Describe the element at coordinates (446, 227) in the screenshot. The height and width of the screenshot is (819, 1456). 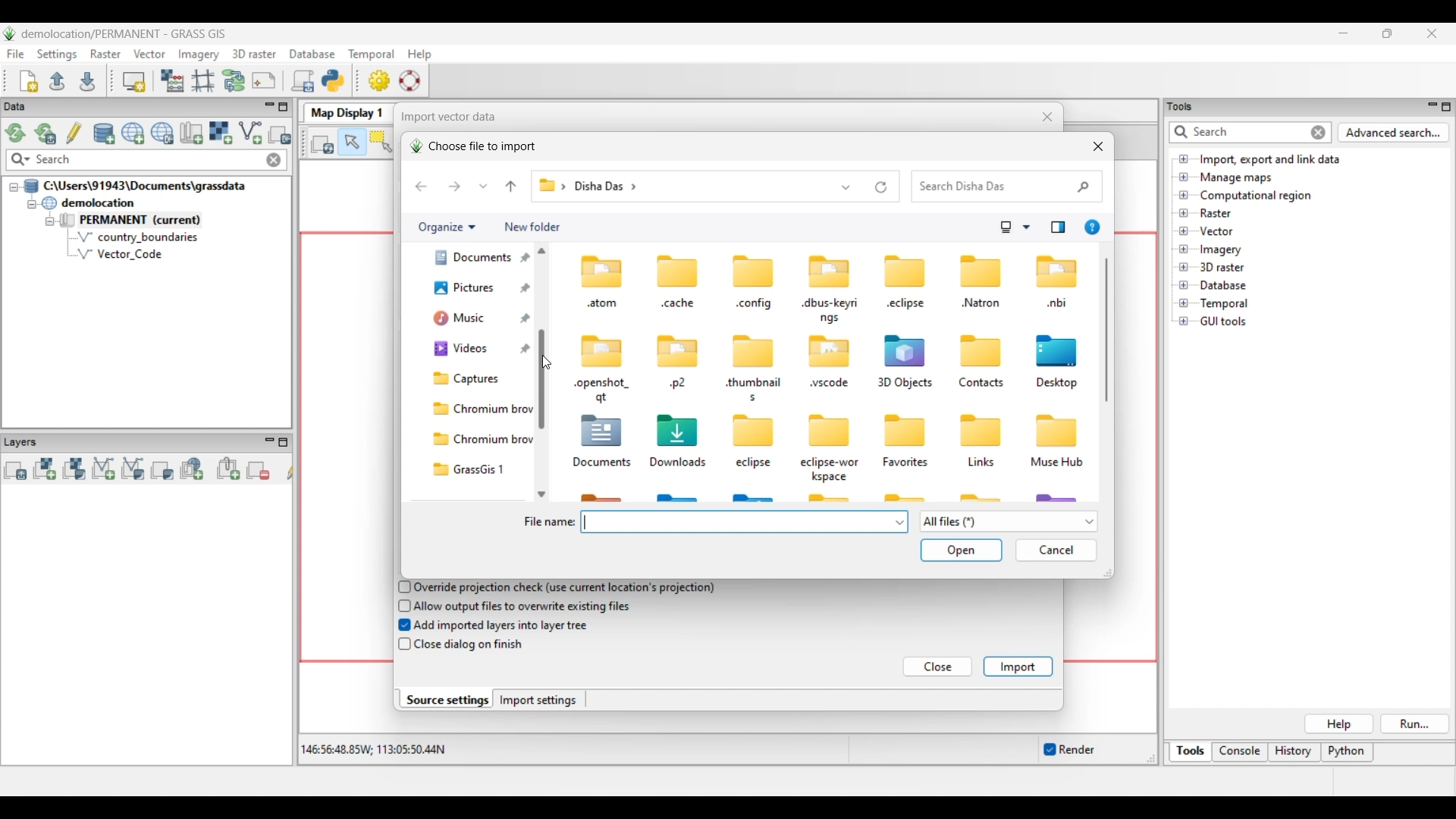
I see `Organize current folder` at that location.